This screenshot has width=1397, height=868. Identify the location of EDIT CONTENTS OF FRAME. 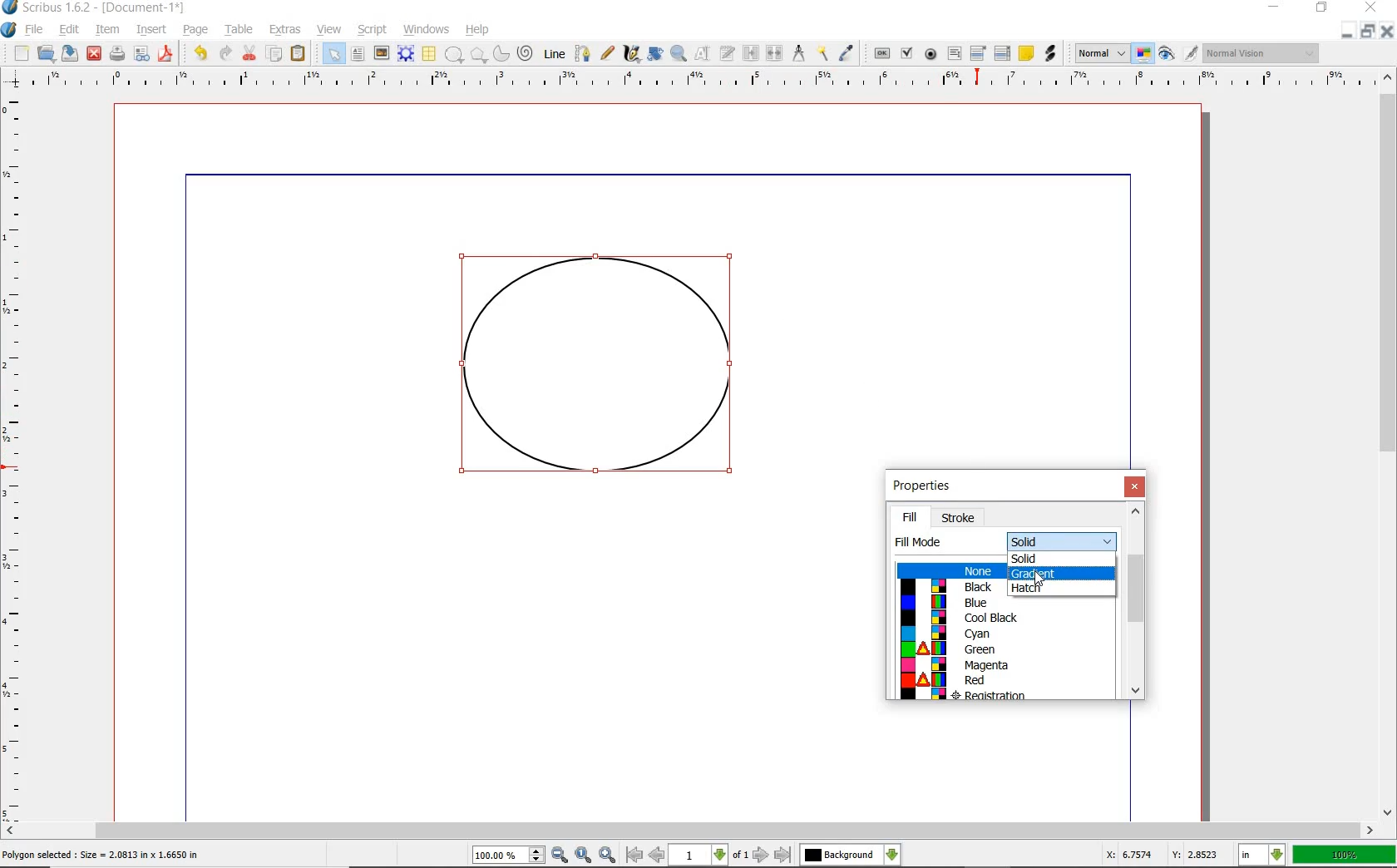
(702, 52).